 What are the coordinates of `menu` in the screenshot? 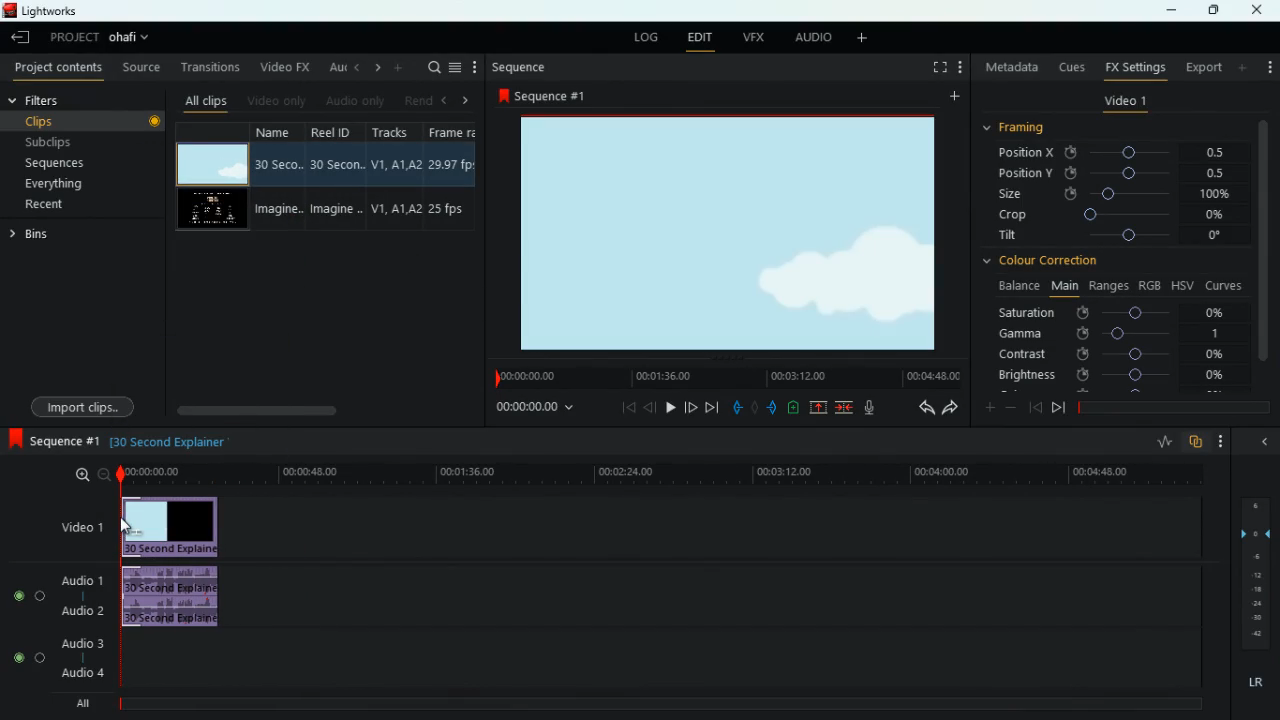 It's located at (457, 66).